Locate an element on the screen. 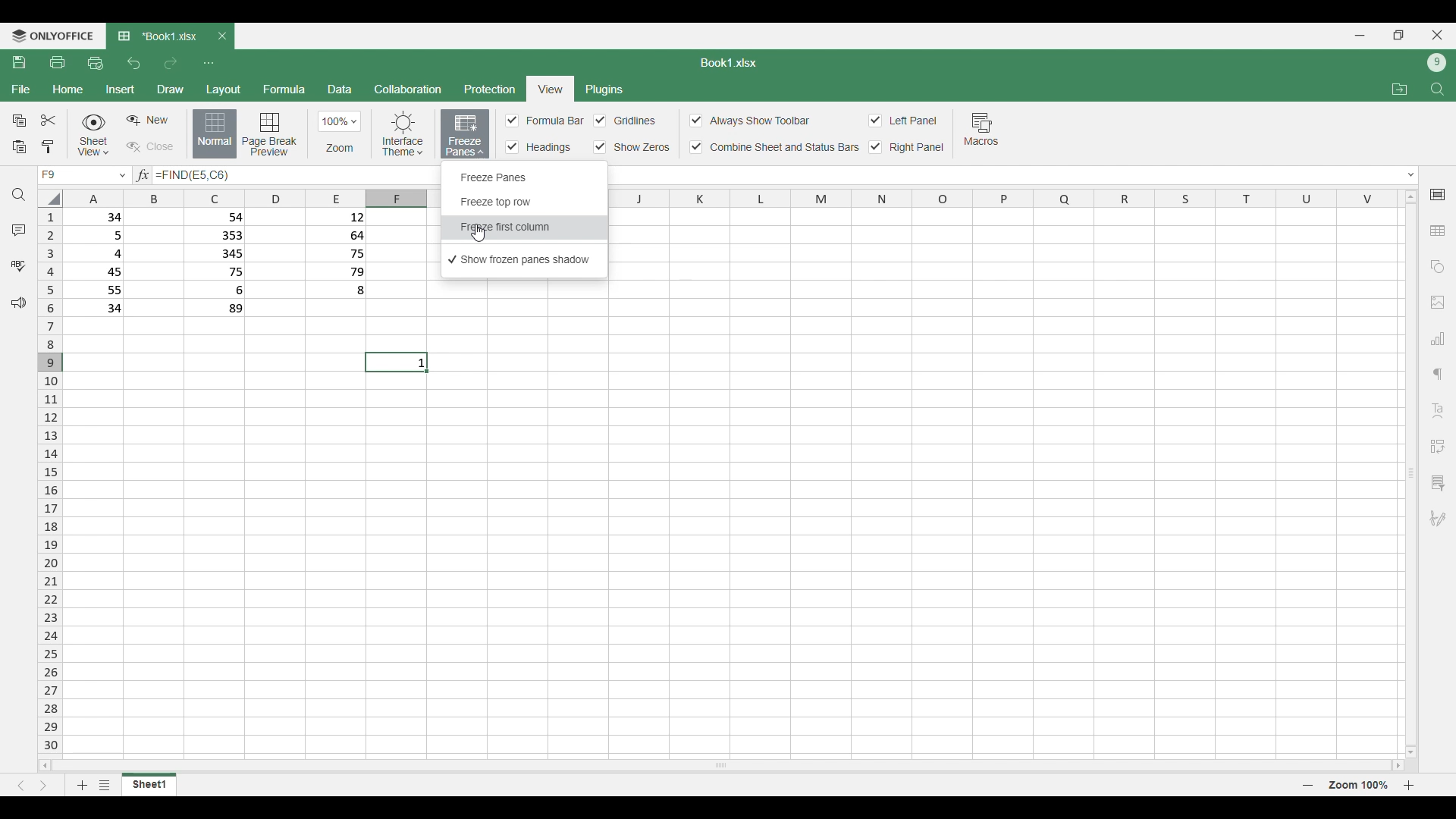 This screenshot has height=819, width=1456. Current account is located at coordinates (1437, 63).